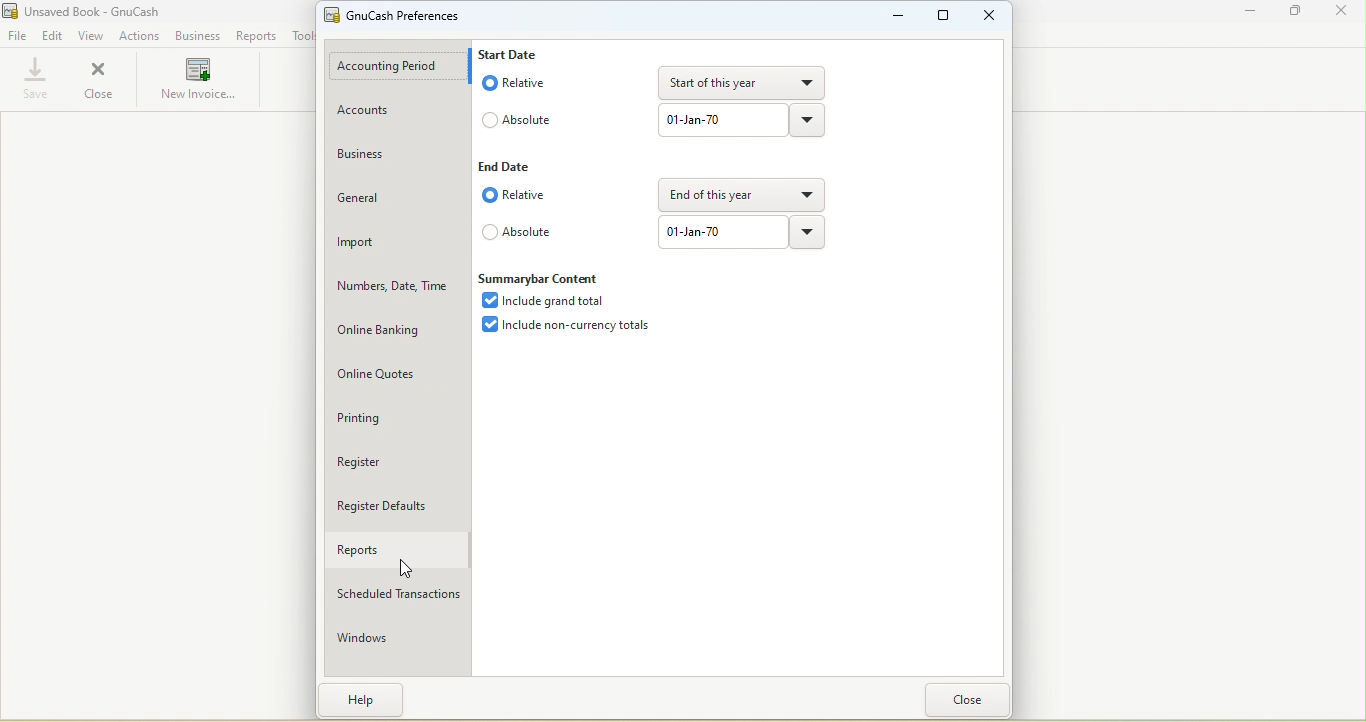 The width and height of the screenshot is (1366, 722). I want to click on Register defaults, so click(395, 505).